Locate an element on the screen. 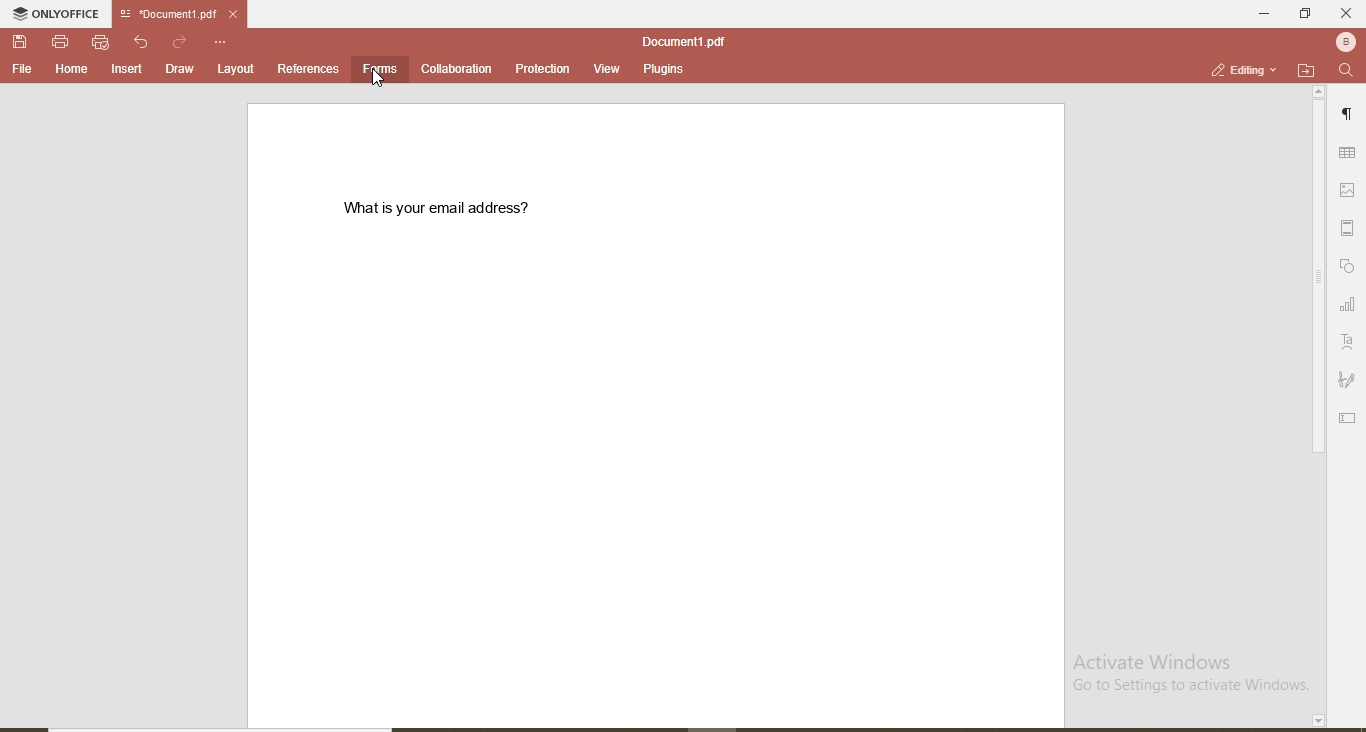  shapes is located at coordinates (1349, 267).